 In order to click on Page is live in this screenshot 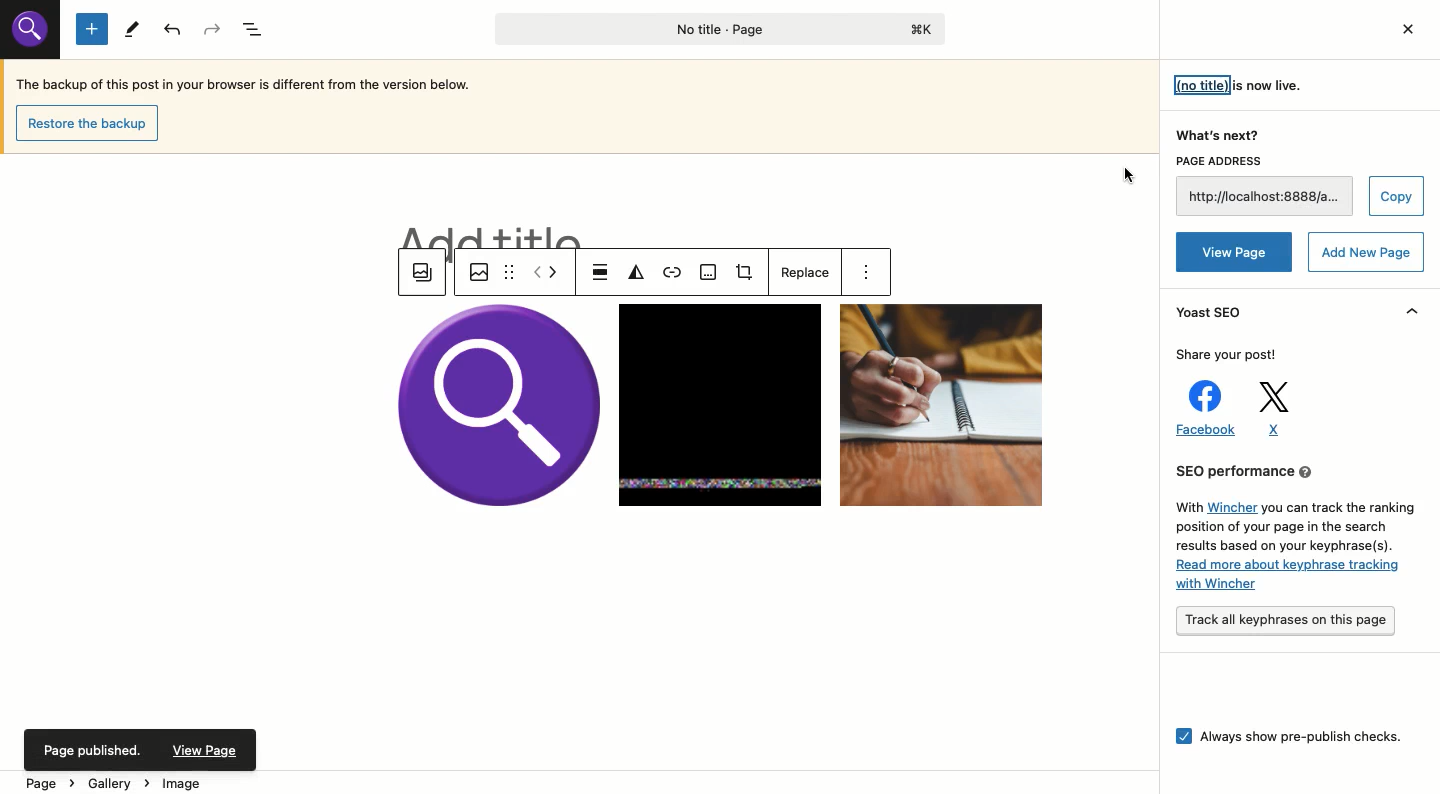, I will do `click(1233, 83)`.